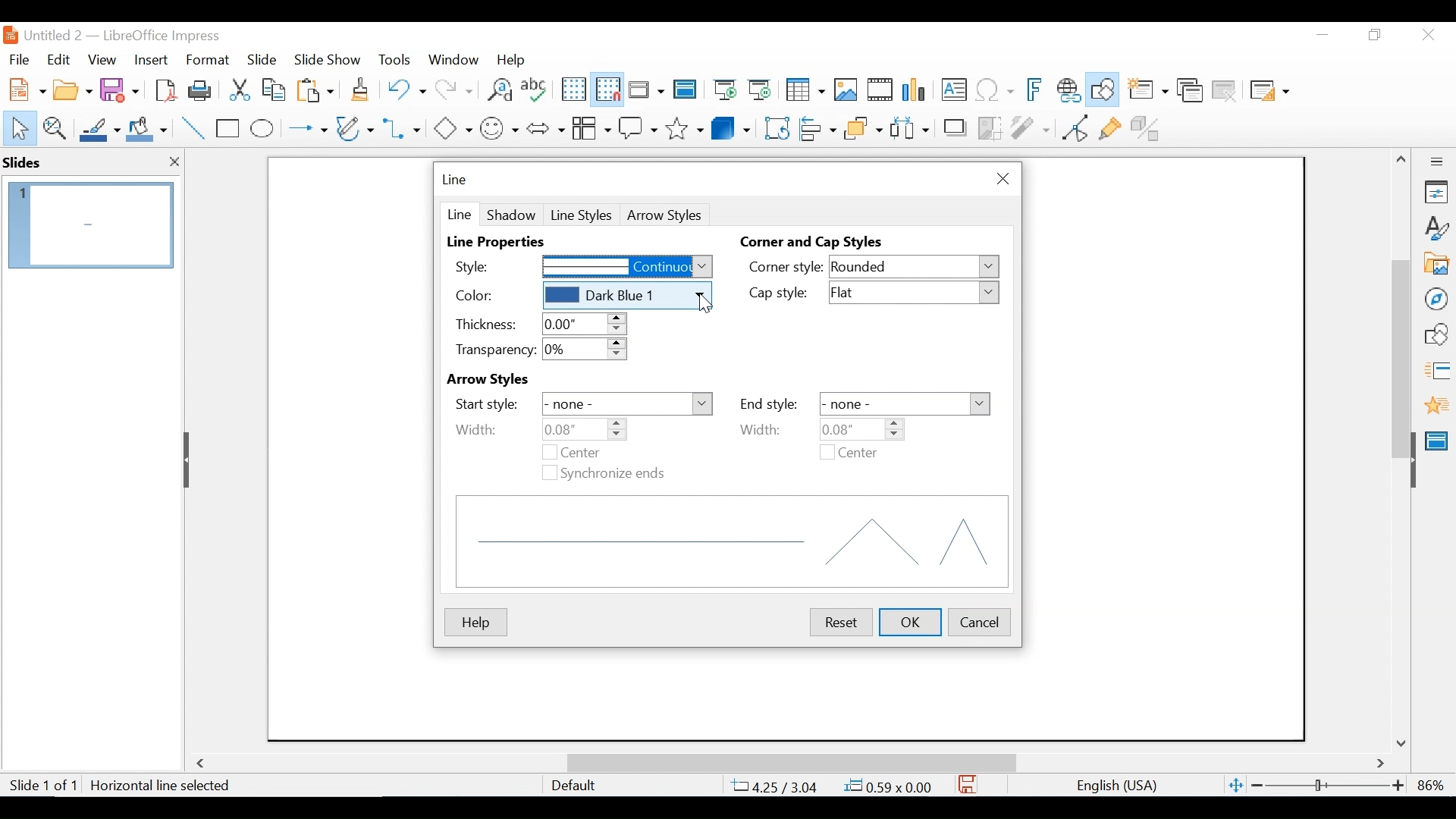 This screenshot has height=819, width=1456. I want to click on Galler, so click(1436, 265).